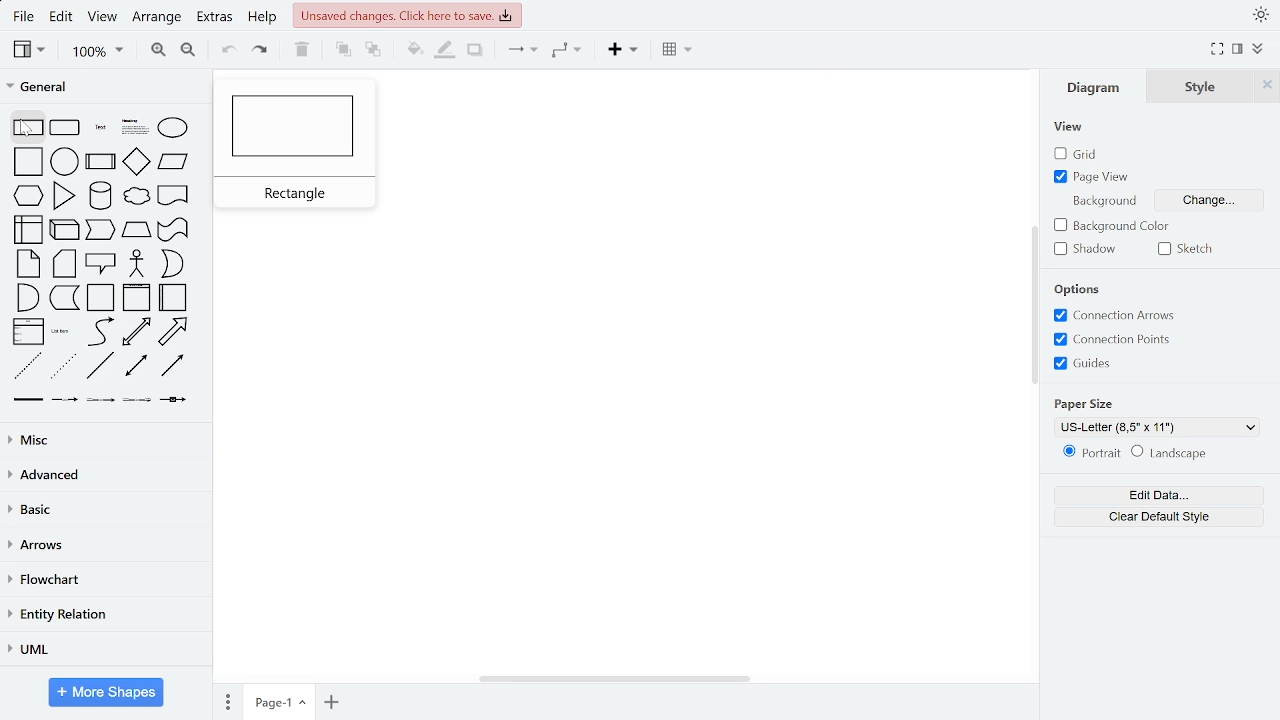 This screenshot has height=720, width=1280. What do you see at coordinates (97, 53) in the screenshot?
I see `zoom` at bounding box center [97, 53].